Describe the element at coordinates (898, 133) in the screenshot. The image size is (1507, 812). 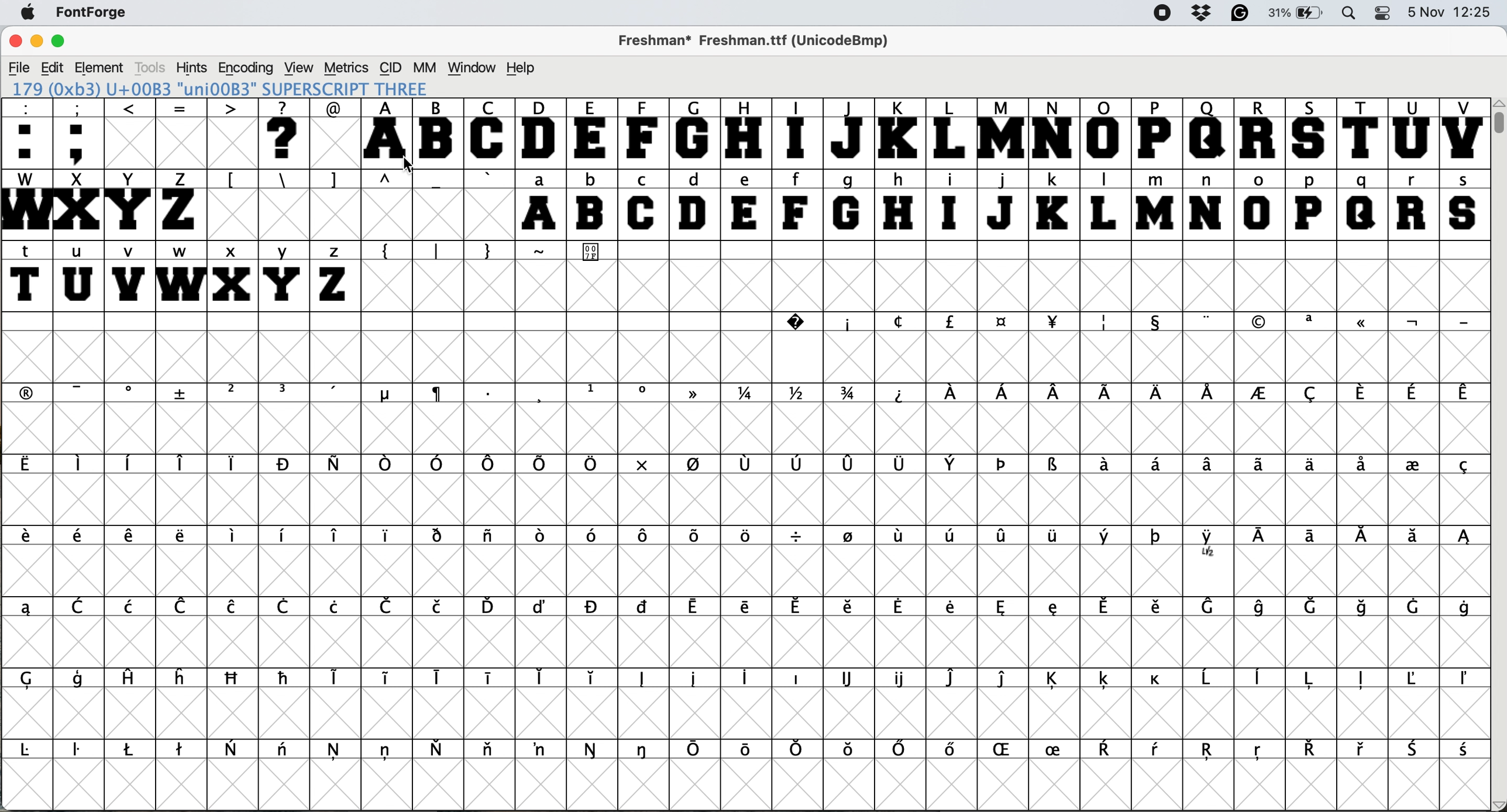
I see `K` at that location.